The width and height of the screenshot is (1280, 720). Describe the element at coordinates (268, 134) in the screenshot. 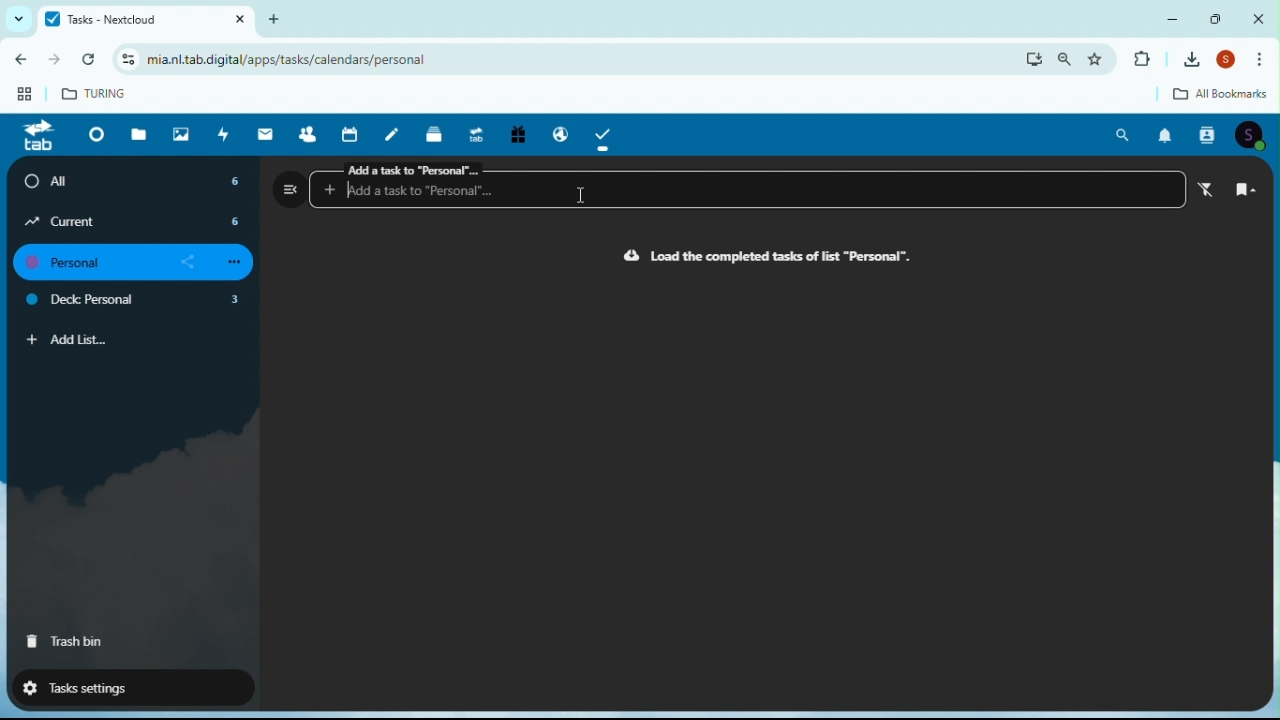

I see `Mail` at that location.